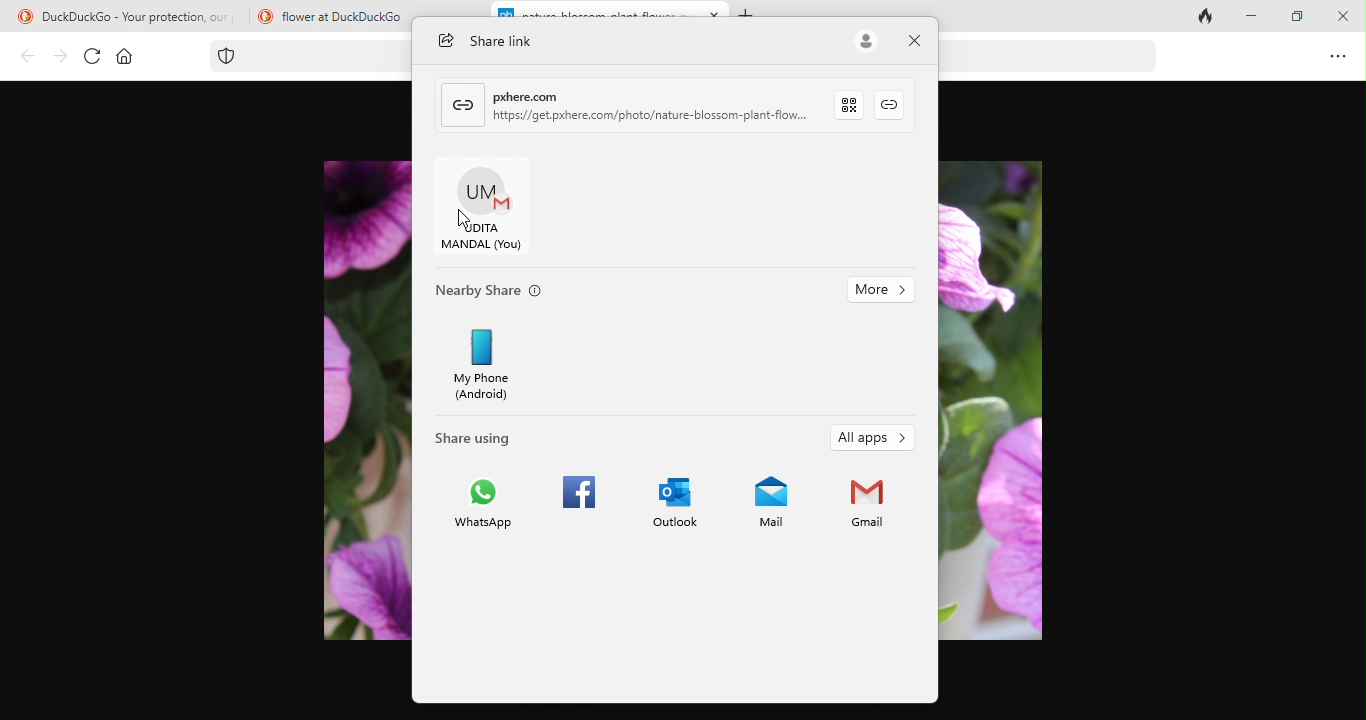  What do you see at coordinates (855, 104) in the screenshot?
I see `qr code` at bounding box center [855, 104].